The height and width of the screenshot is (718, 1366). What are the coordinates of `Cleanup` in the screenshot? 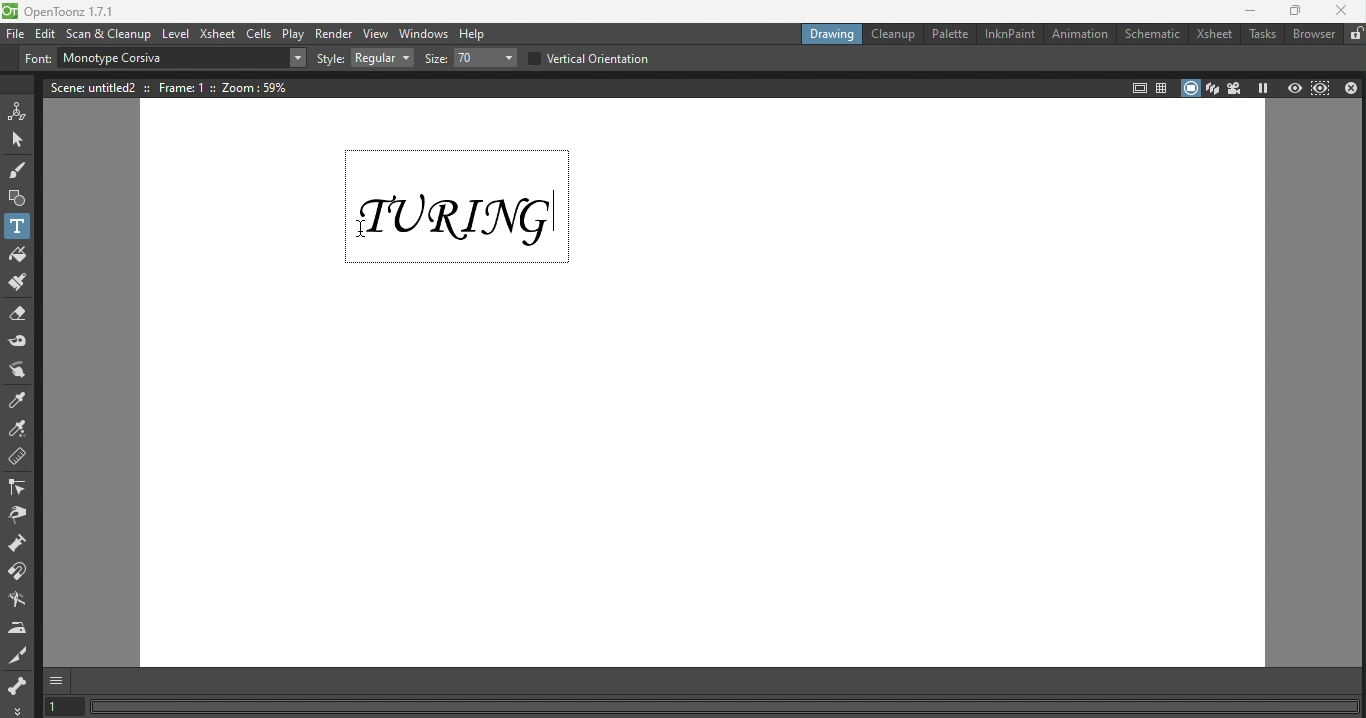 It's located at (891, 35).